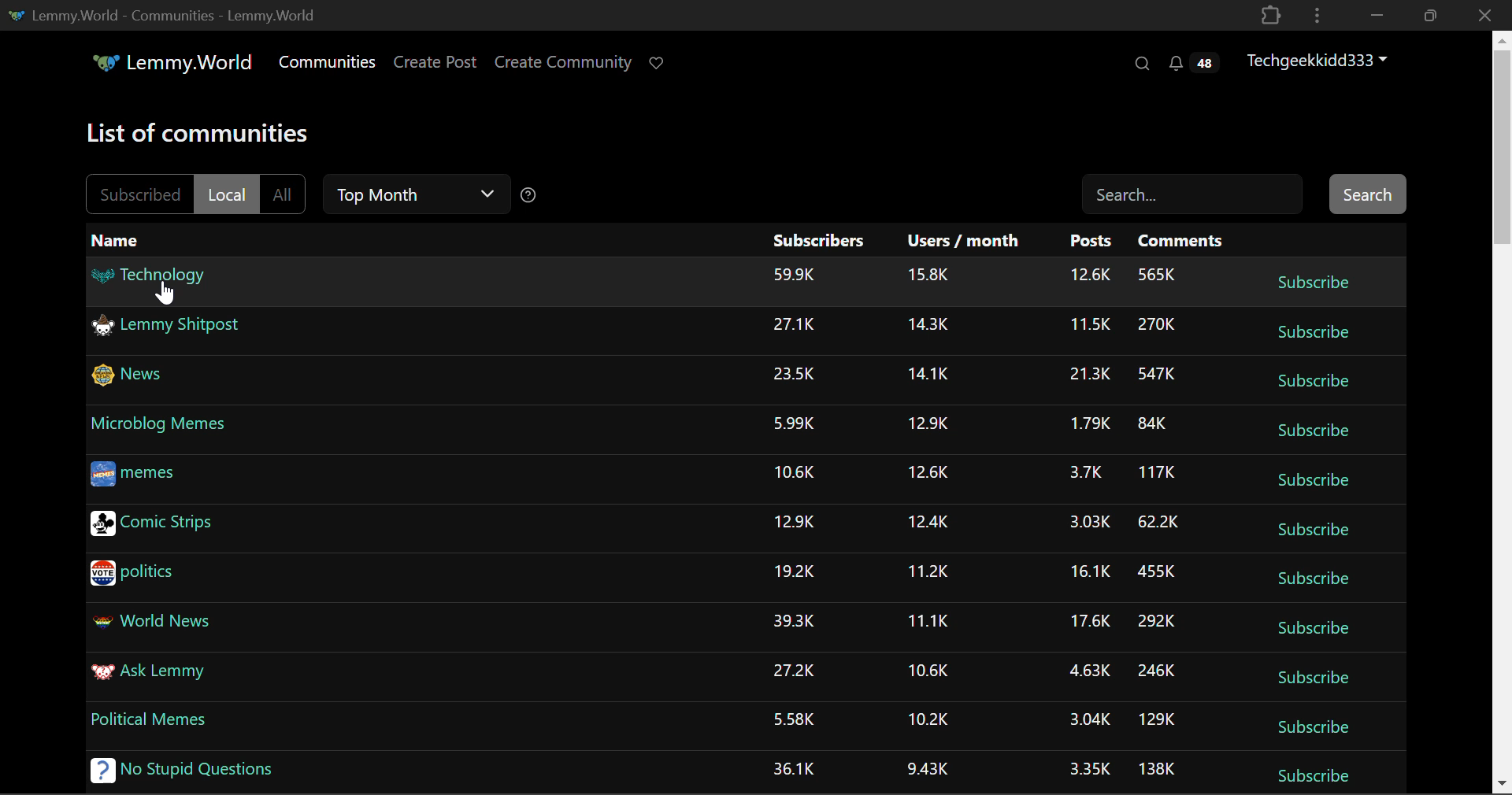 The width and height of the screenshot is (1512, 795). I want to click on Amount , so click(1154, 720).